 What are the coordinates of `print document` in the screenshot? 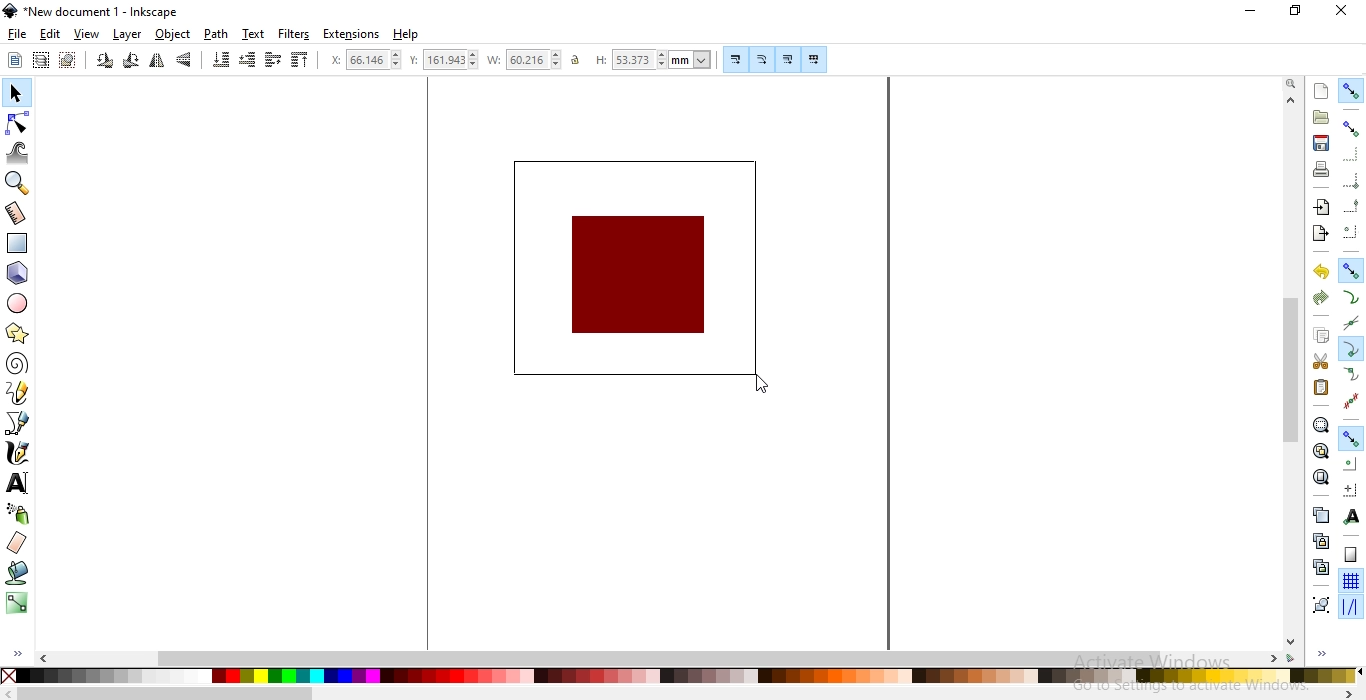 It's located at (1319, 169).